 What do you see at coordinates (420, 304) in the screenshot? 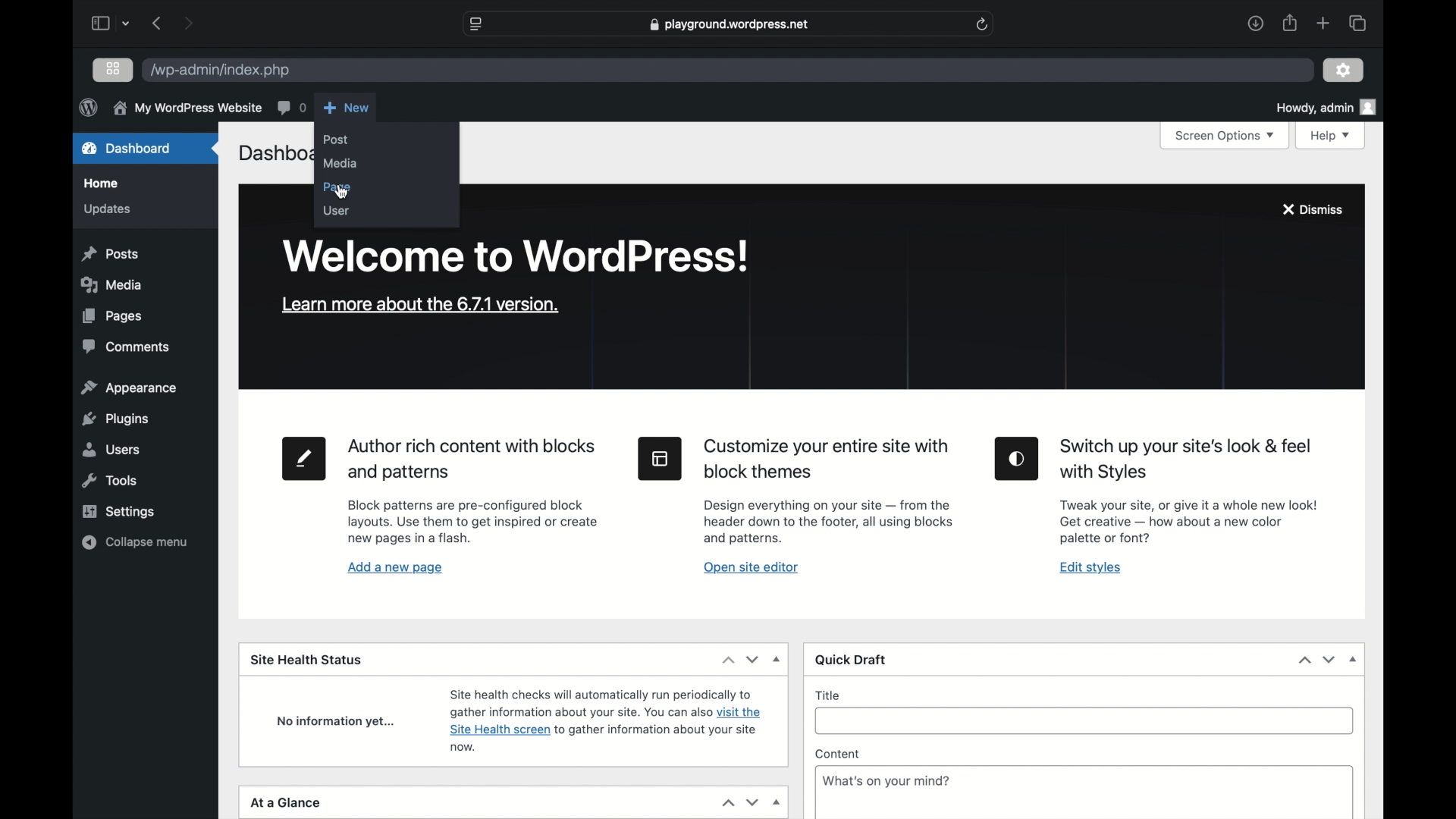
I see `Learnmore about 6.7.1 version` at bounding box center [420, 304].